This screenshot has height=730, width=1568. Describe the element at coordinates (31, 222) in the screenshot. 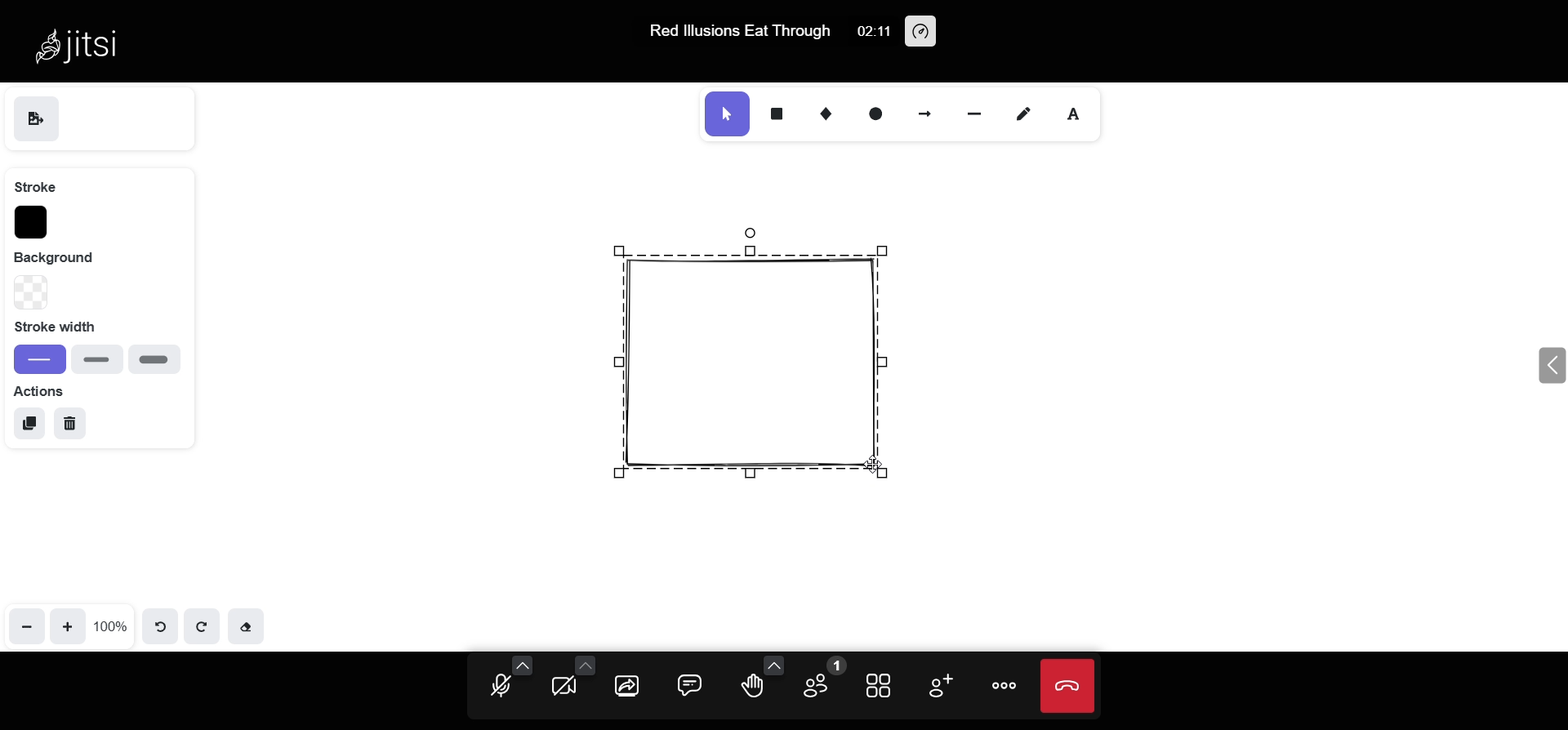

I see `stroke color` at that location.